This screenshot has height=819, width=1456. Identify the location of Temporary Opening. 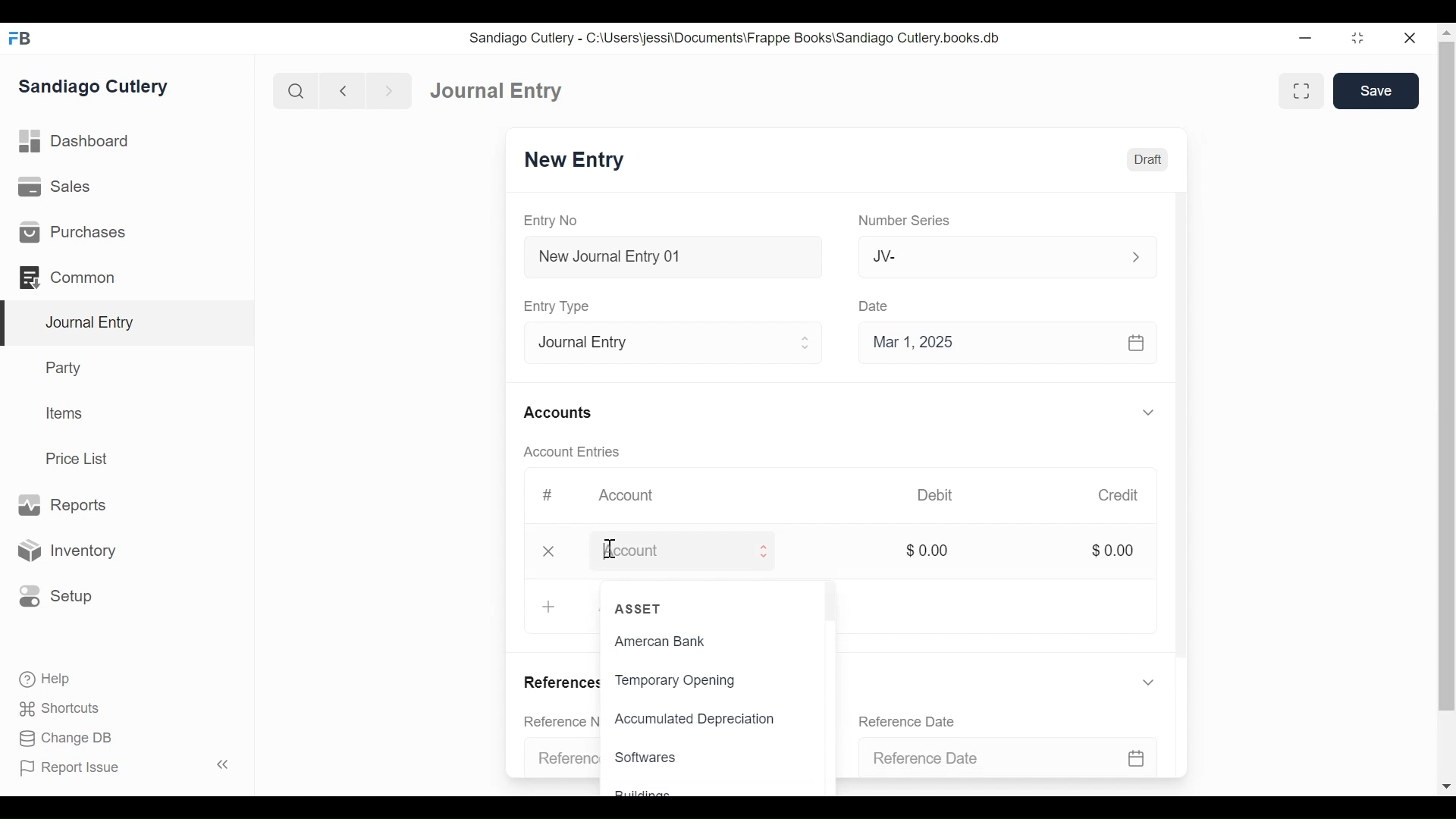
(682, 679).